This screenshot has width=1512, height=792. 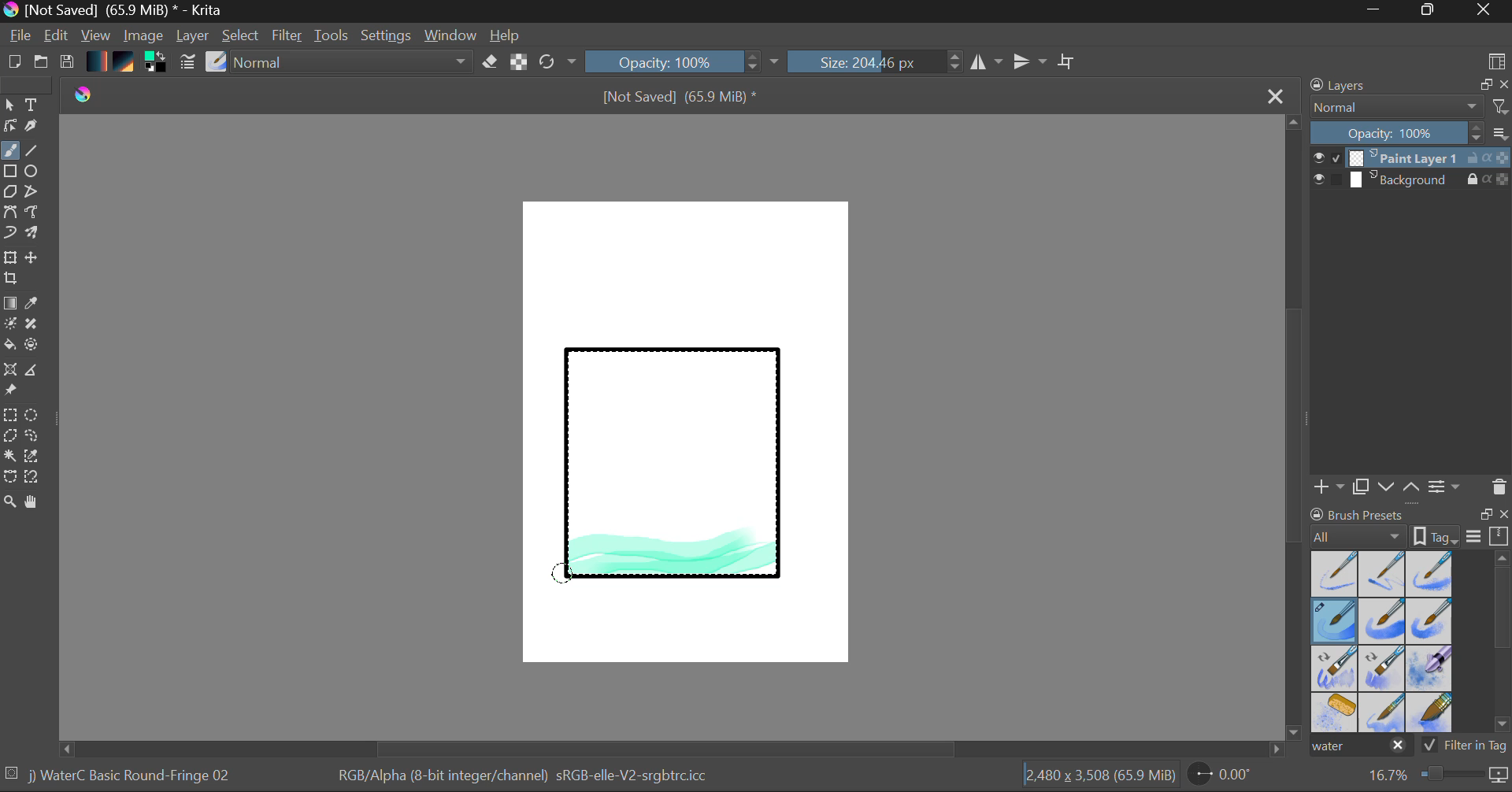 What do you see at coordinates (9, 417) in the screenshot?
I see `Rectangle Selection Tool` at bounding box center [9, 417].